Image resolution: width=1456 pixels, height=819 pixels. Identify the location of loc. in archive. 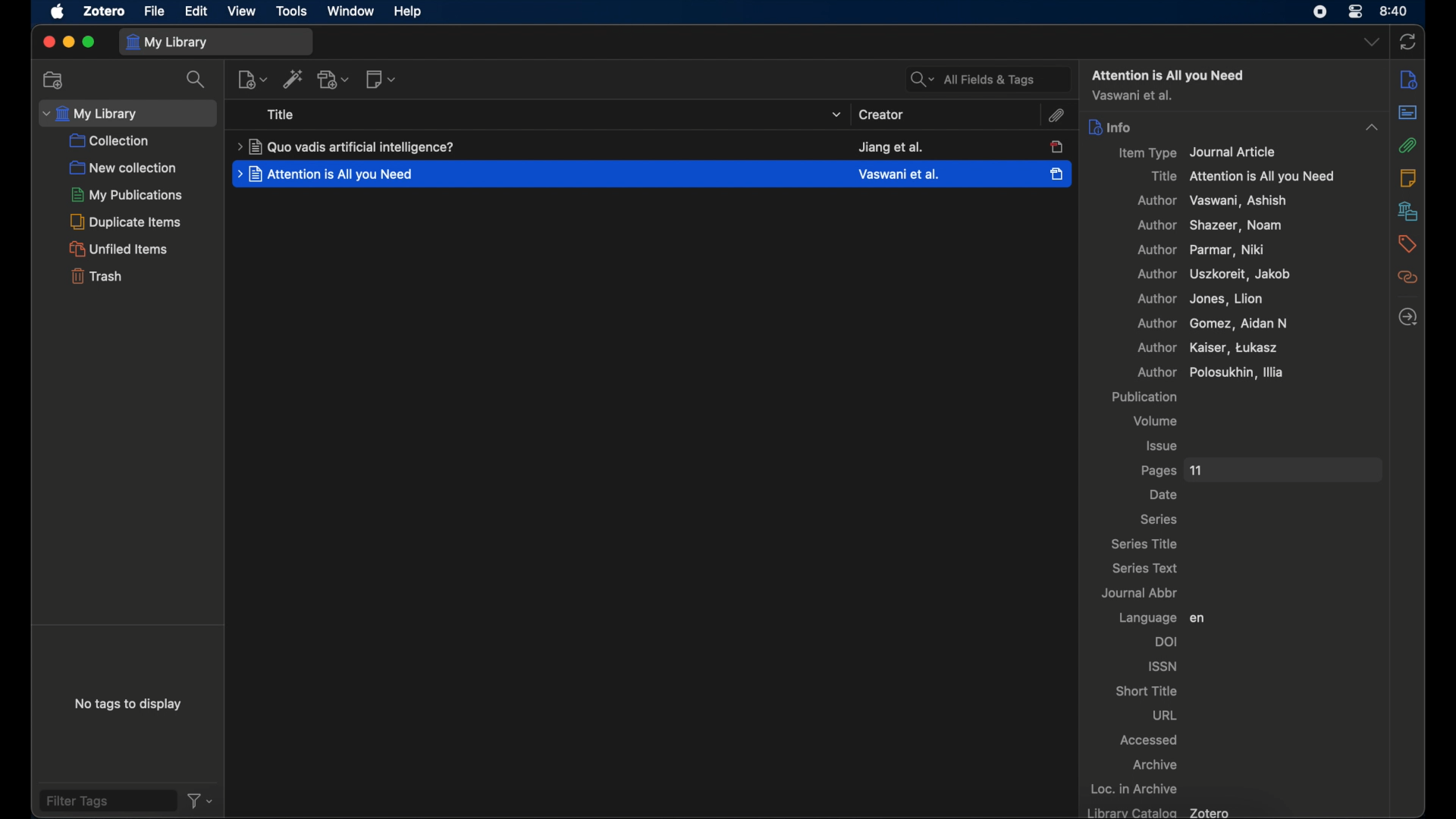
(1137, 789).